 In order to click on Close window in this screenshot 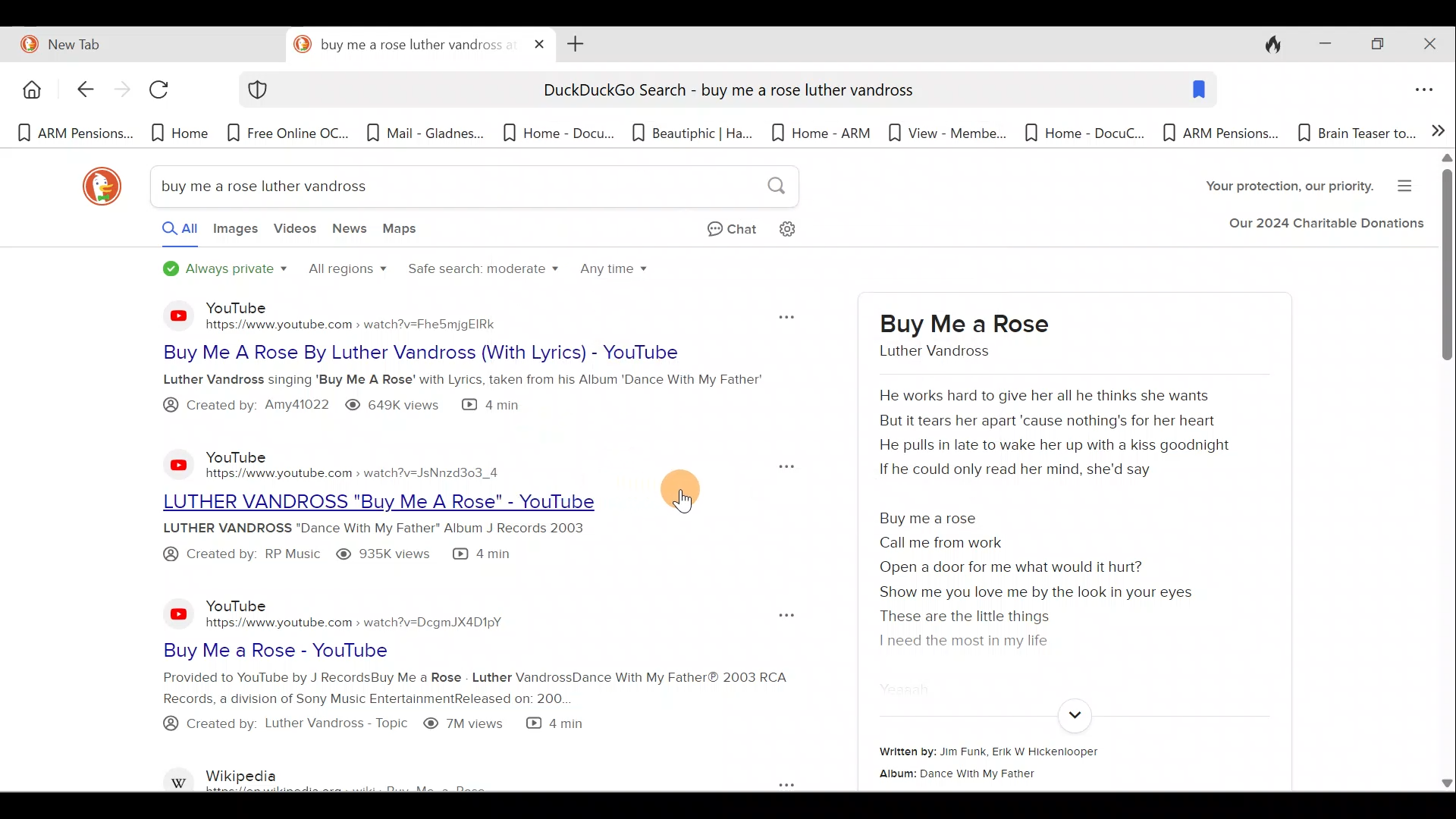, I will do `click(1432, 44)`.